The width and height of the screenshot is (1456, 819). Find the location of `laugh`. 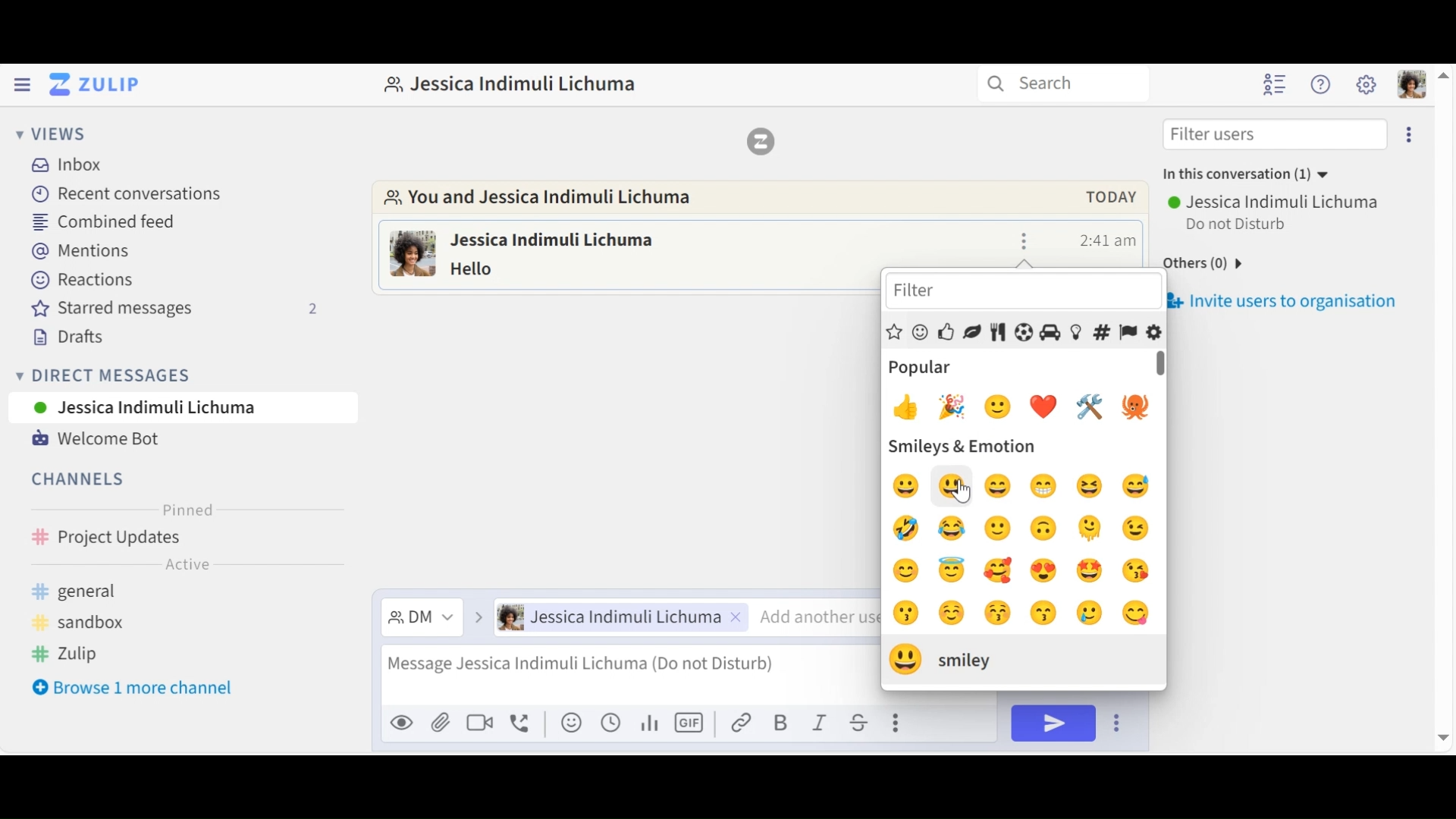

laugh is located at coordinates (909, 485).